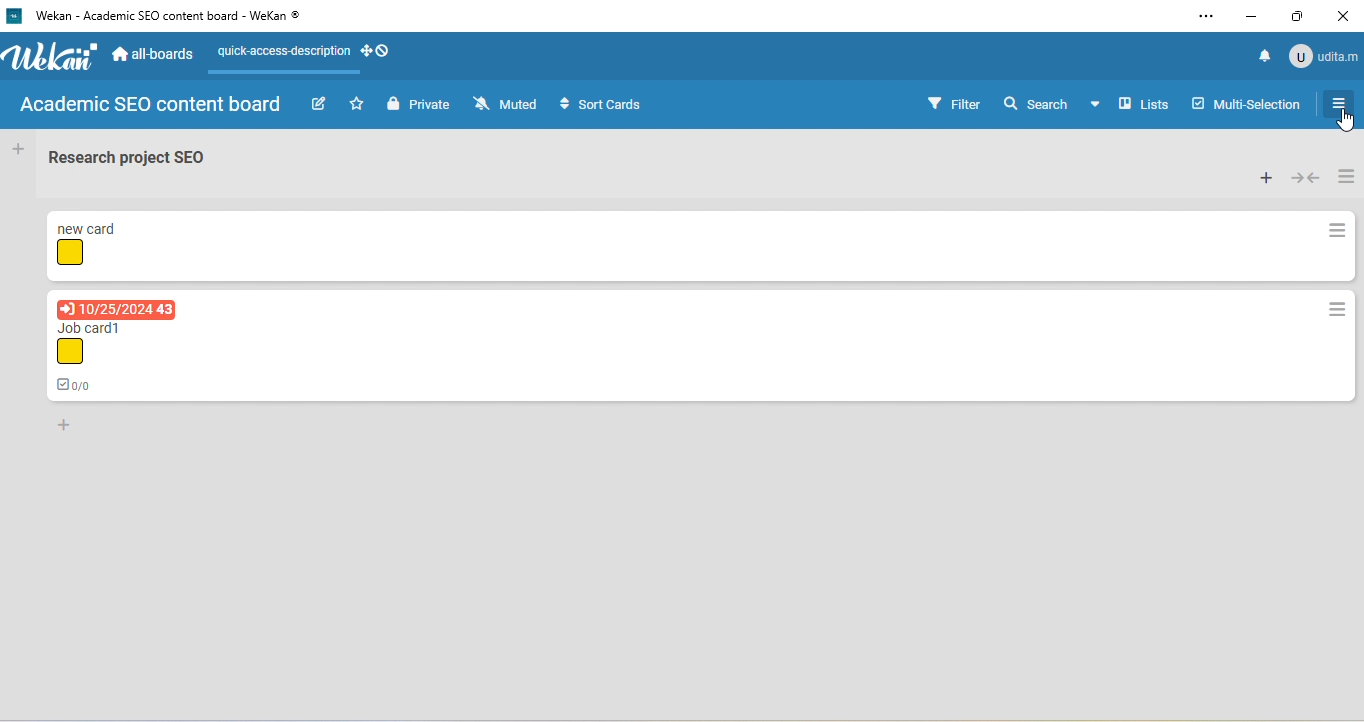 This screenshot has height=722, width=1364. I want to click on private, so click(417, 104).